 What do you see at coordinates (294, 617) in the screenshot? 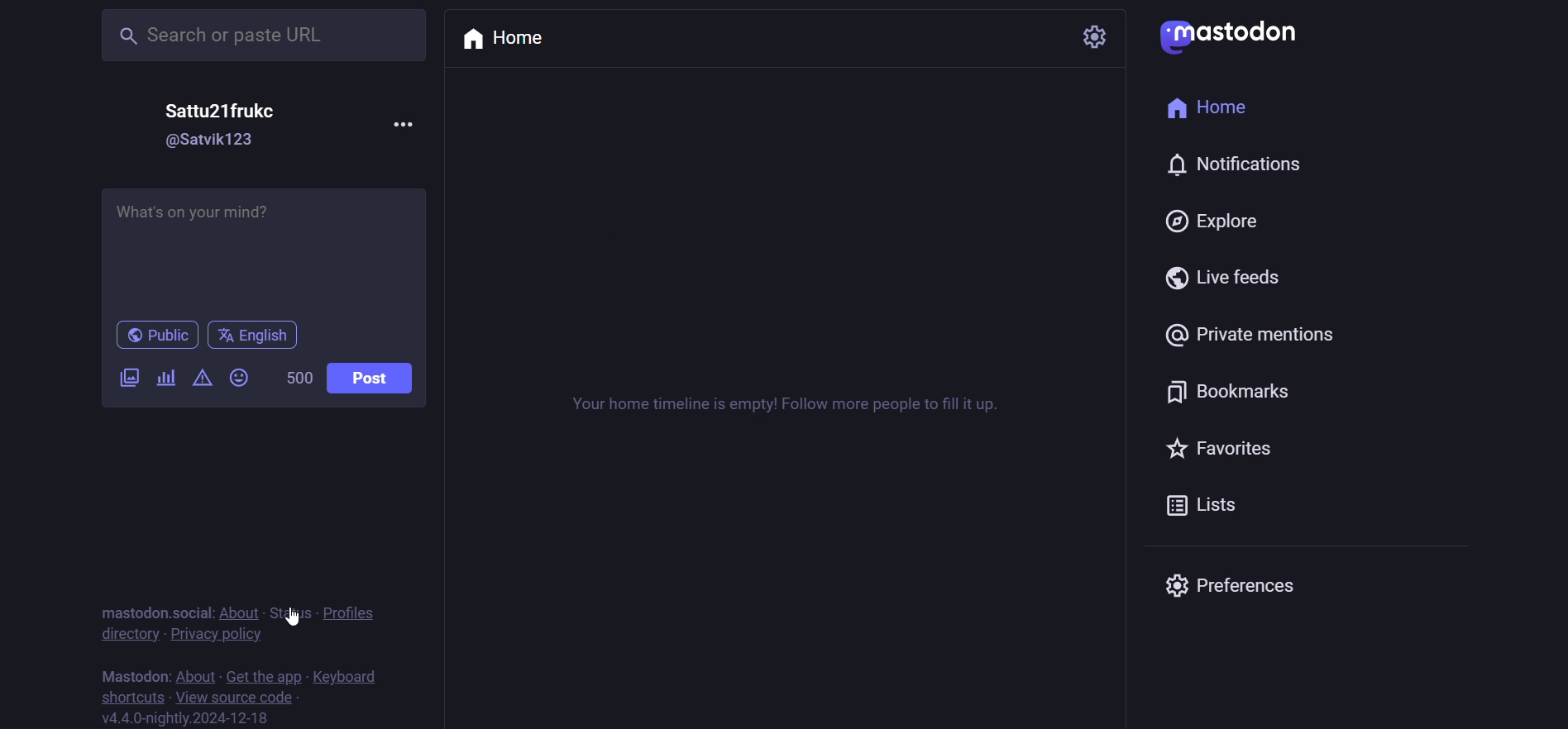
I see `Cursor on Status` at bounding box center [294, 617].